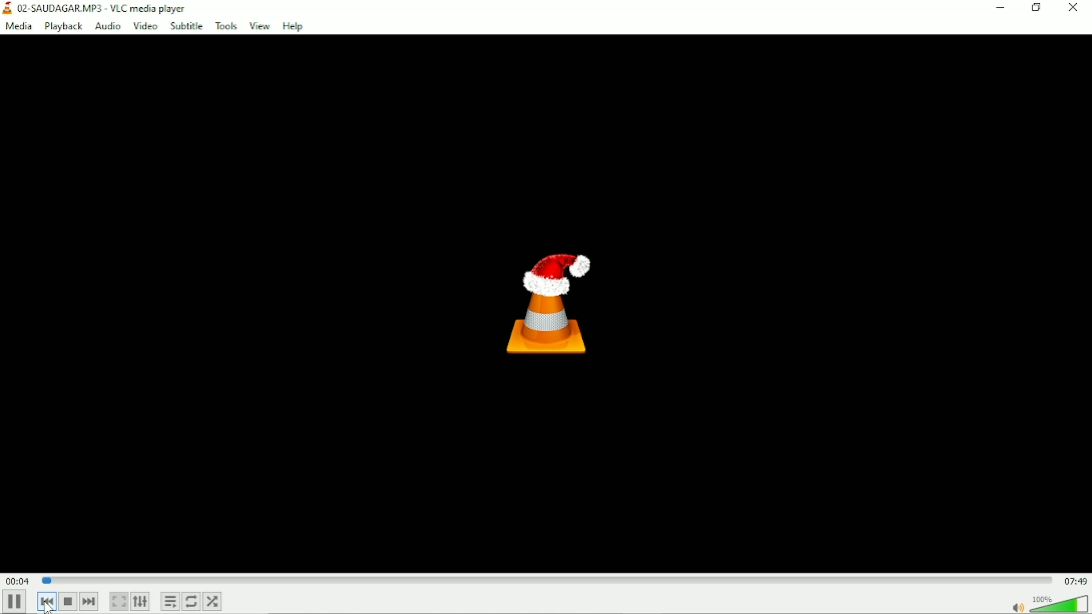  I want to click on Previous, so click(45, 602).